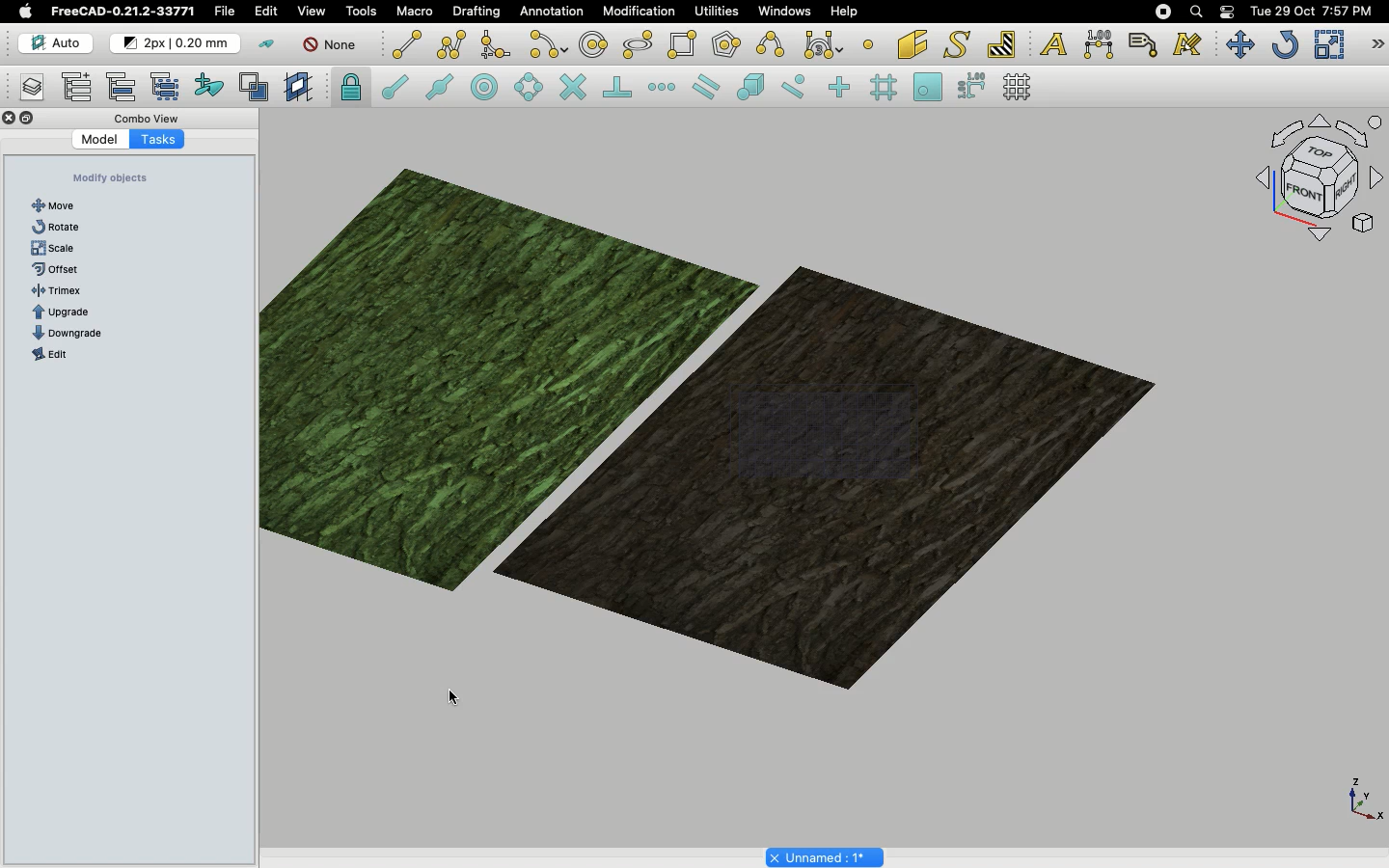 The image size is (1389, 868). Describe the element at coordinates (594, 47) in the screenshot. I see `Circle` at that location.